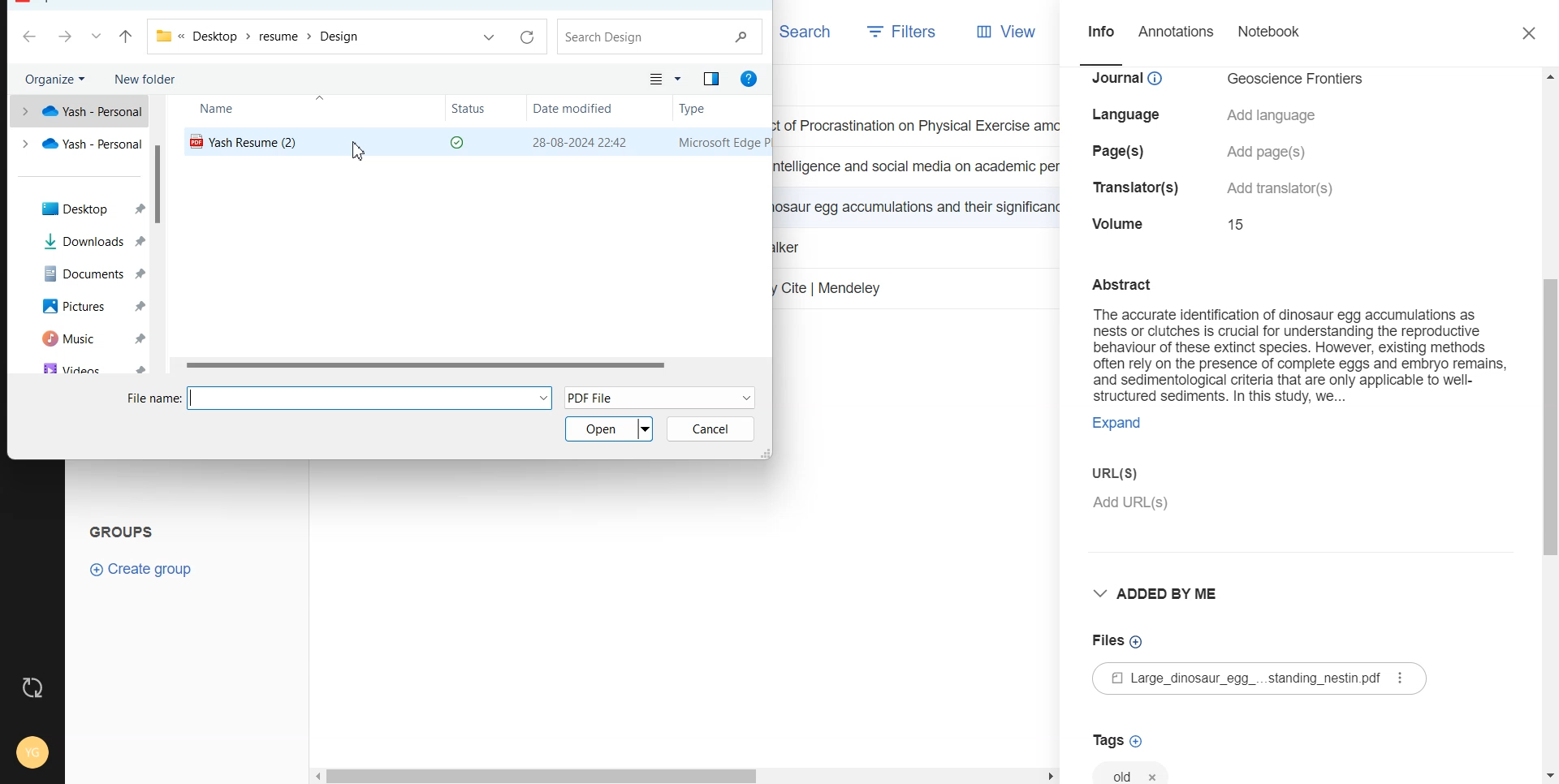  What do you see at coordinates (707, 110) in the screenshot?
I see `Type` at bounding box center [707, 110].